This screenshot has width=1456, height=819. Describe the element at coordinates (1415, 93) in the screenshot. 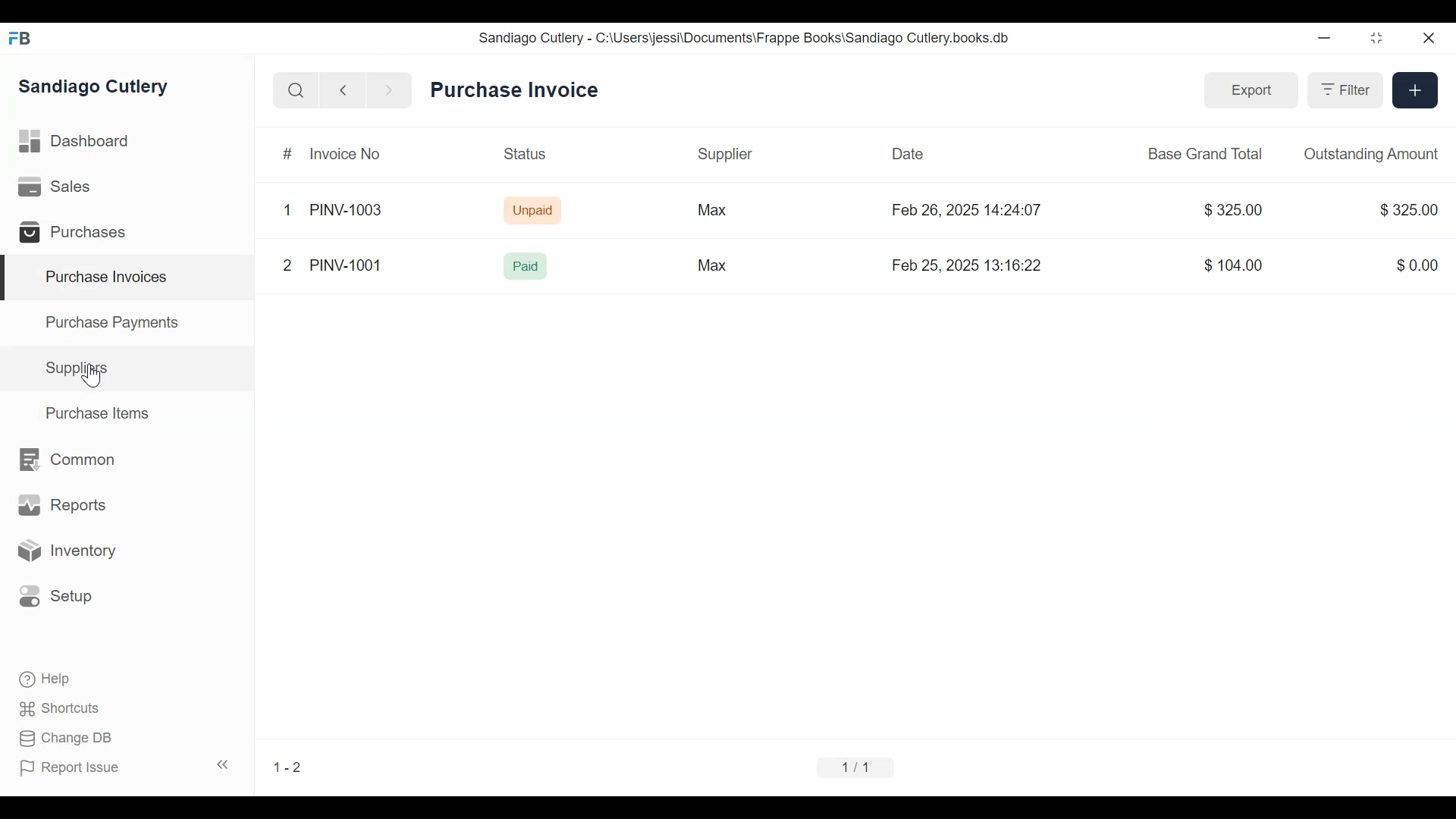

I see `Add new entry` at that location.